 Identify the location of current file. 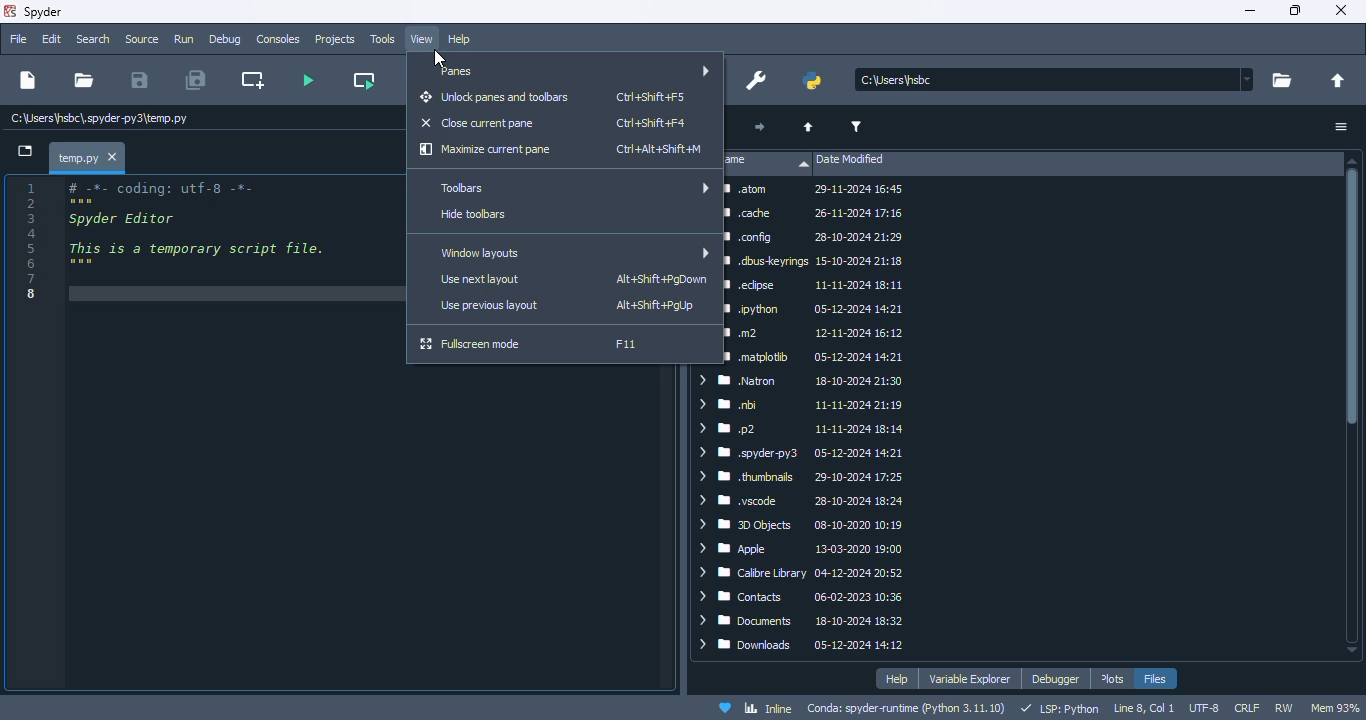
(1056, 80).